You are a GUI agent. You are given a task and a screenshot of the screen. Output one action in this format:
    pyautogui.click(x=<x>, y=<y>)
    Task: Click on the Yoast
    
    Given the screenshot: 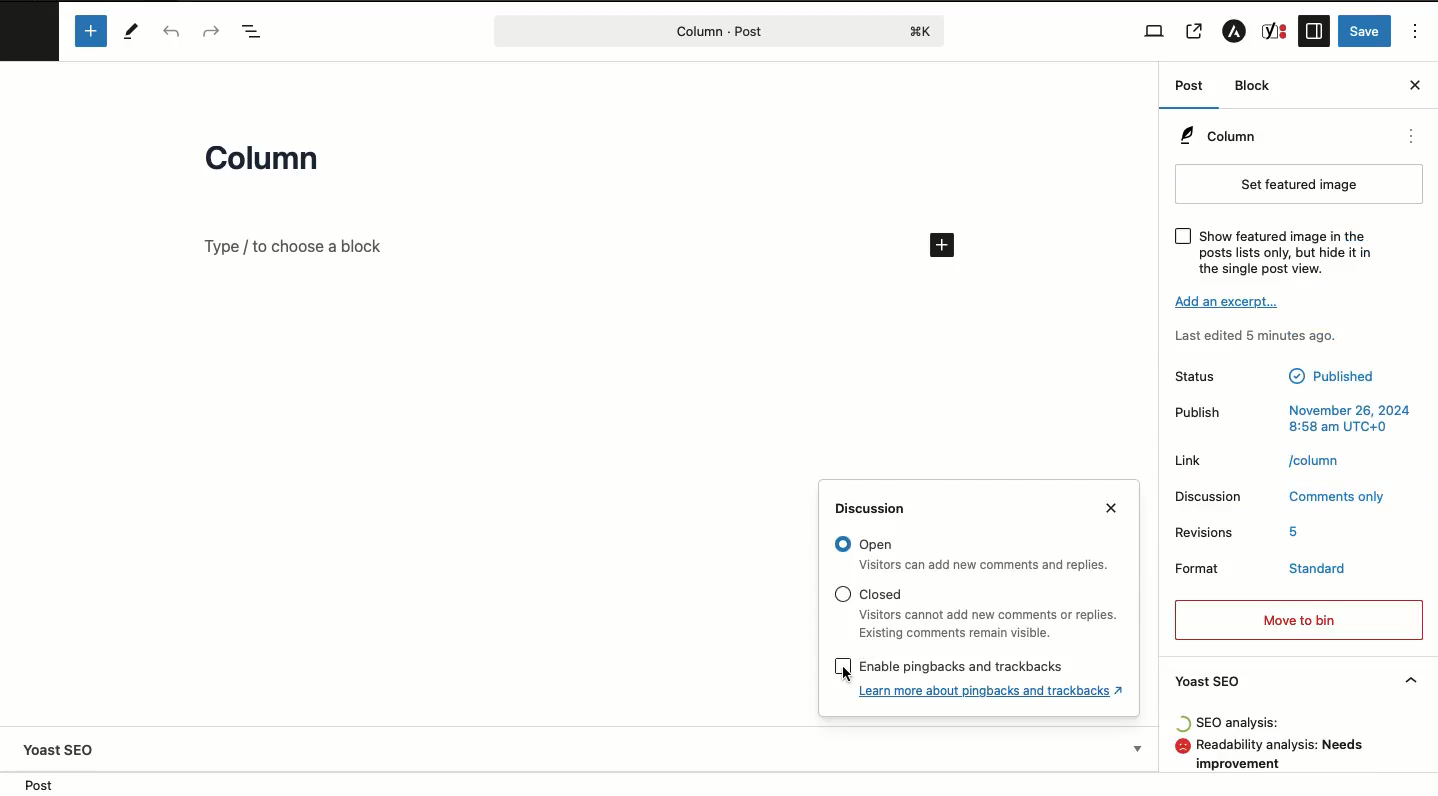 What is the action you would take?
    pyautogui.click(x=1275, y=31)
    